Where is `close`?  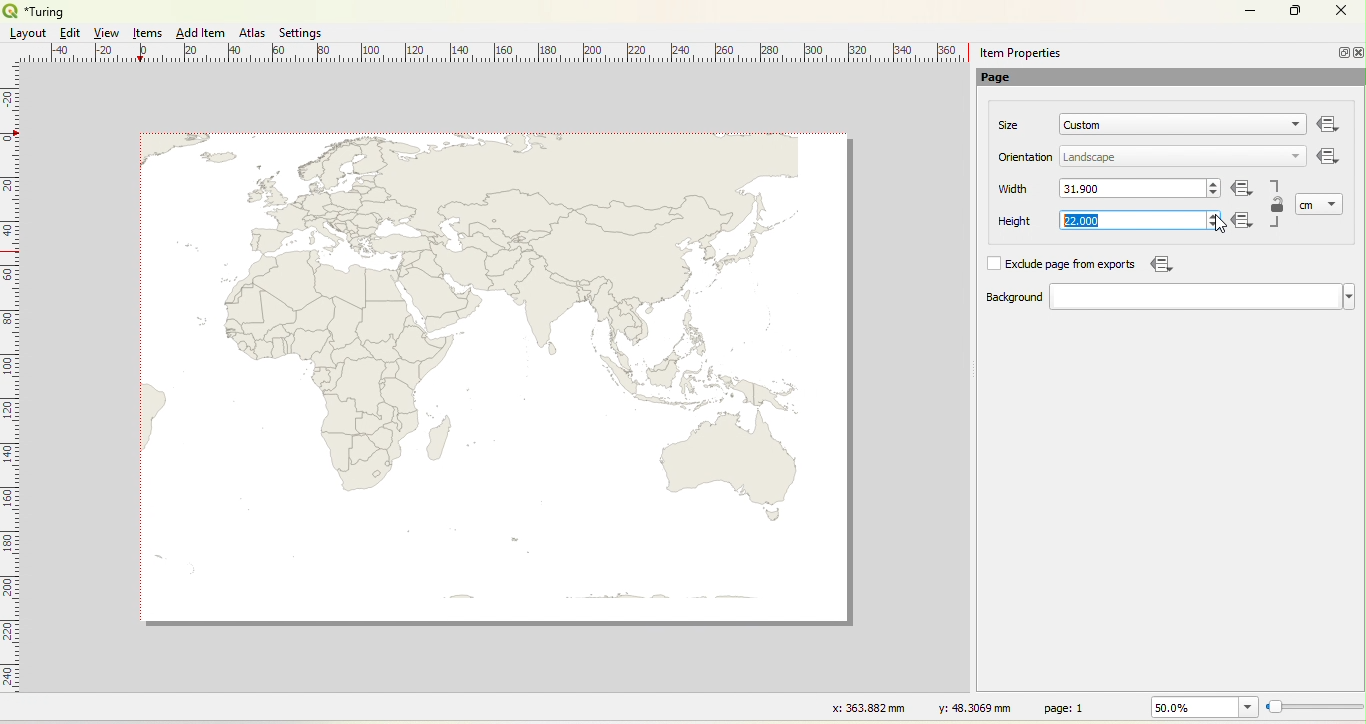 close is located at coordinates (1357, 53).